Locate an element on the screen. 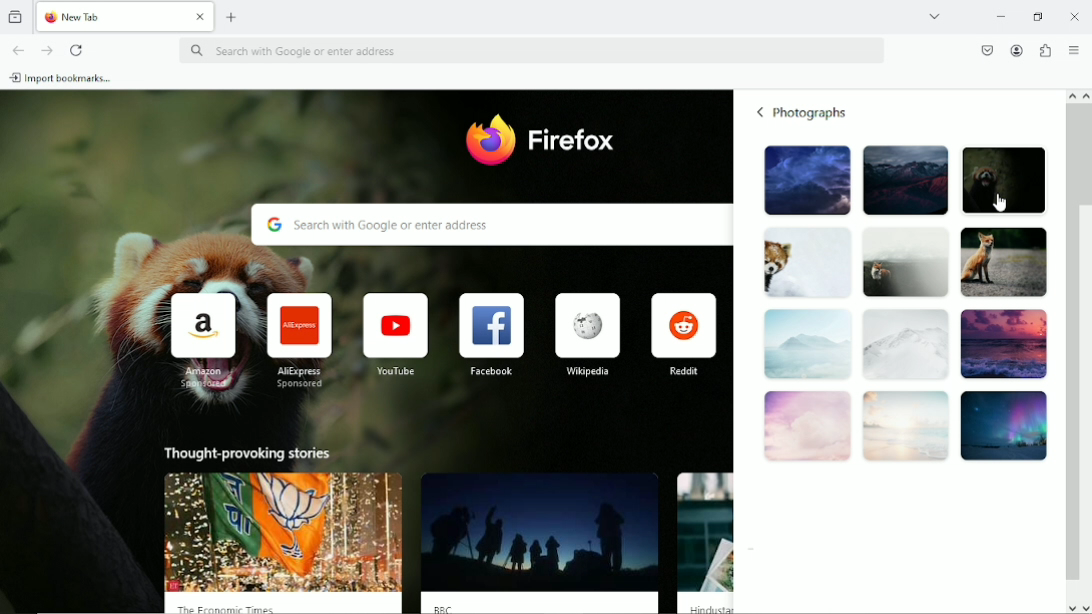 Image resolution: width=1092 pixels, height=614 pixels. Photograph is located at coordinates (1003, 262).